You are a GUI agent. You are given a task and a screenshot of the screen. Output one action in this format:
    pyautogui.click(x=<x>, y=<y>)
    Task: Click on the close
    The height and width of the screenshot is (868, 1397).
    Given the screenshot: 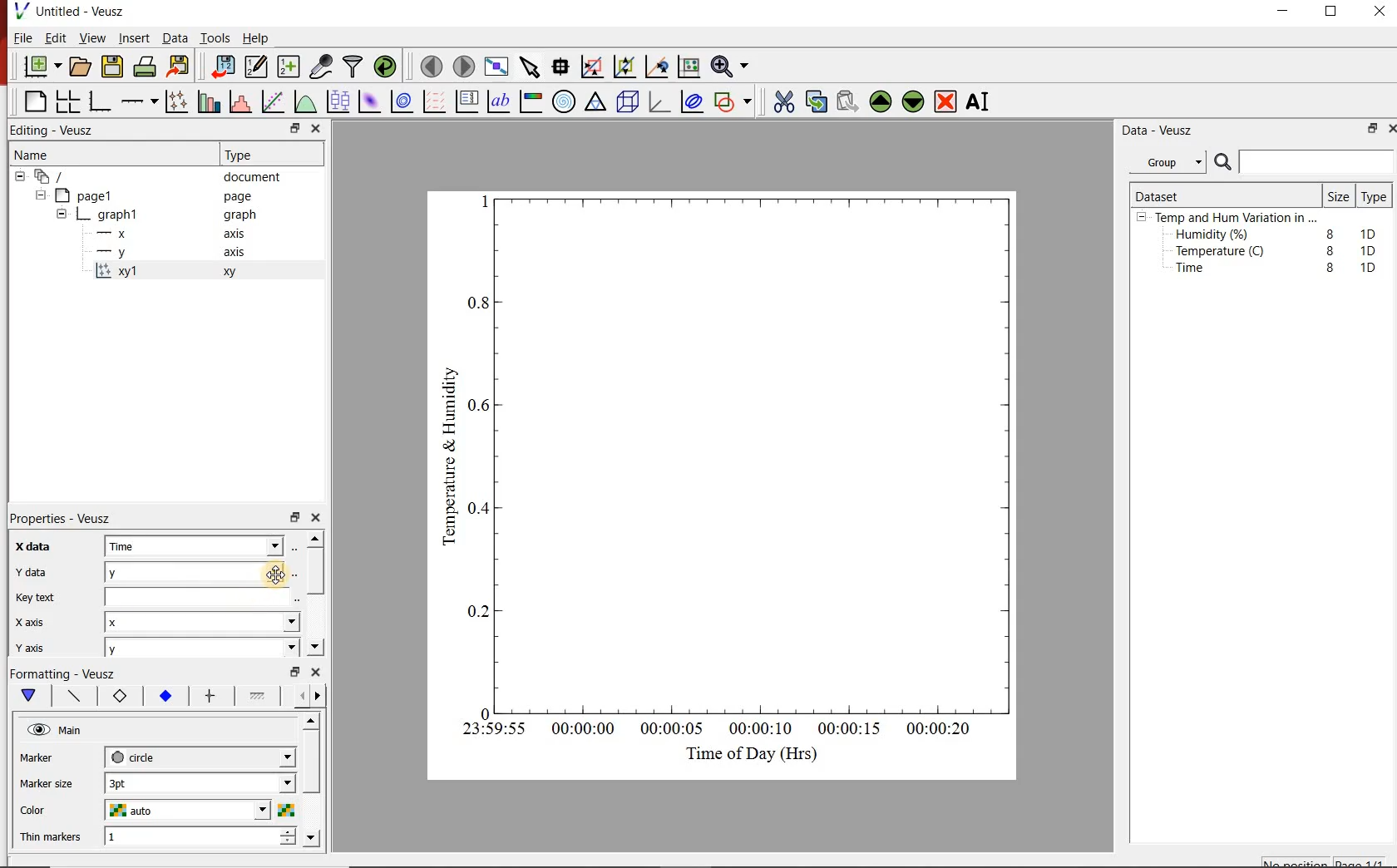 What is the action you would take?
    pyautogui.click(x=321, y=518)
    